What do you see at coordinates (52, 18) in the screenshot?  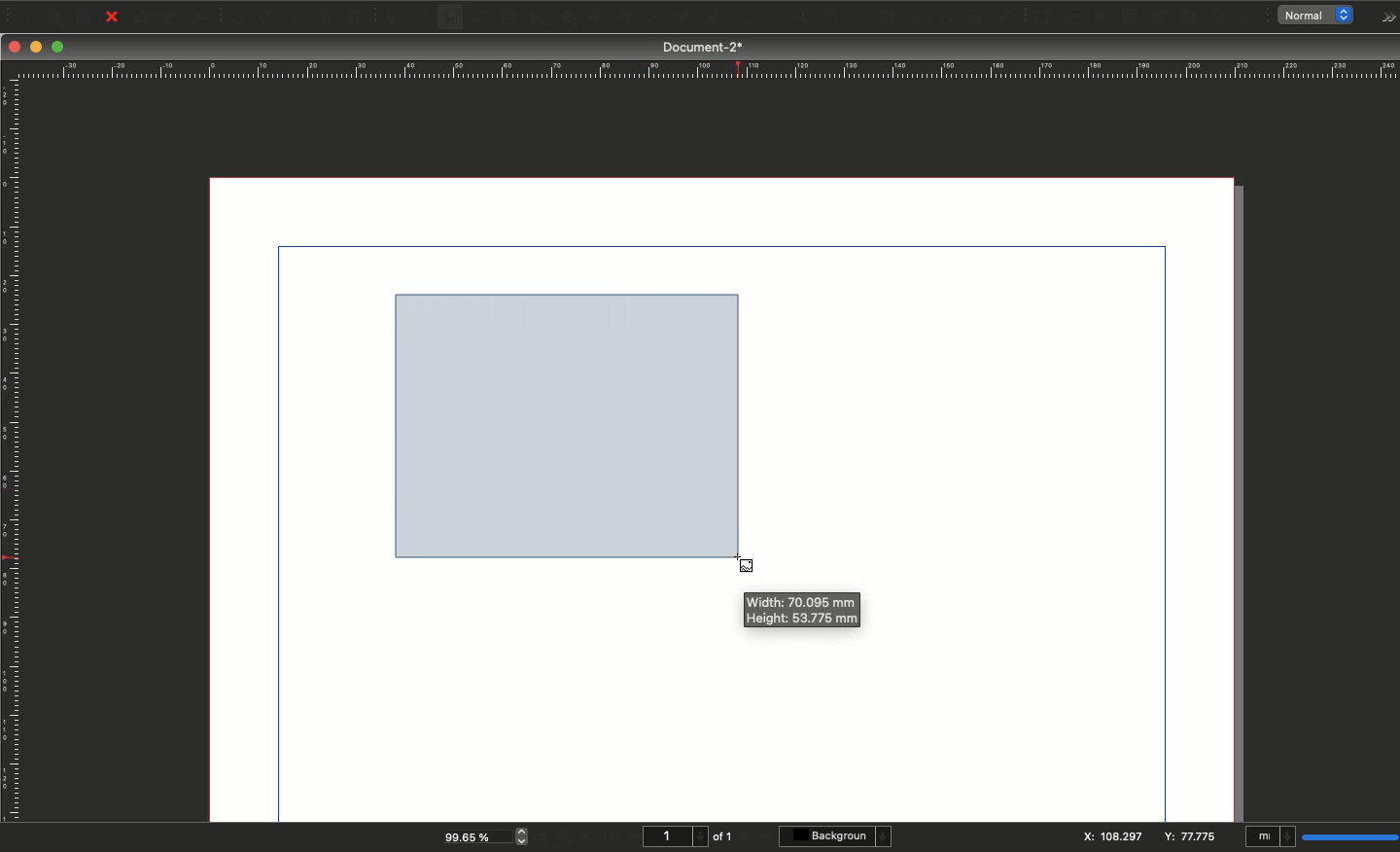 I see `Open` at bounding box center [52, 18].